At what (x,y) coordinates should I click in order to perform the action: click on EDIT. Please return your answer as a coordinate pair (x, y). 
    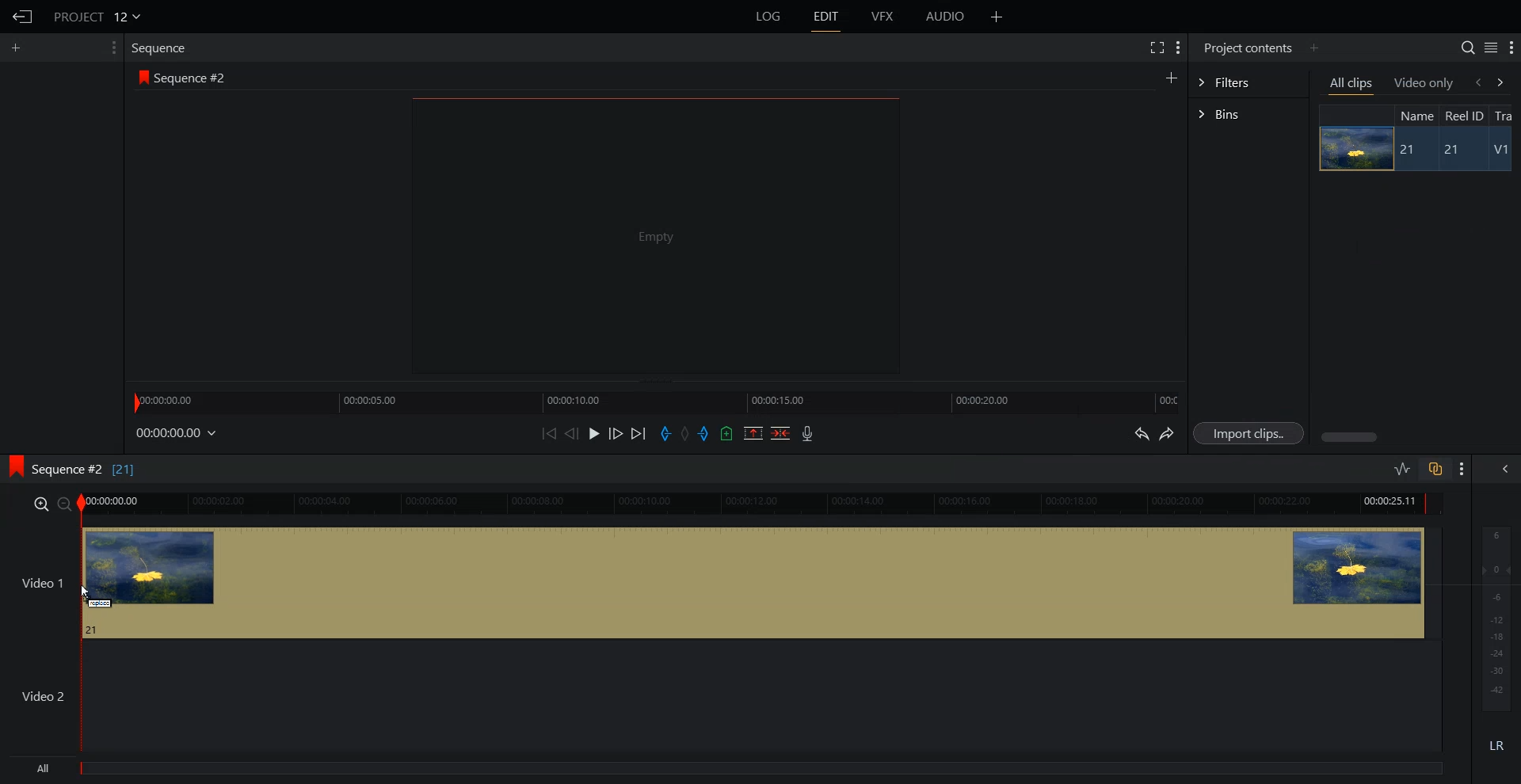
    Looking at the image, I should click on (825, 17).